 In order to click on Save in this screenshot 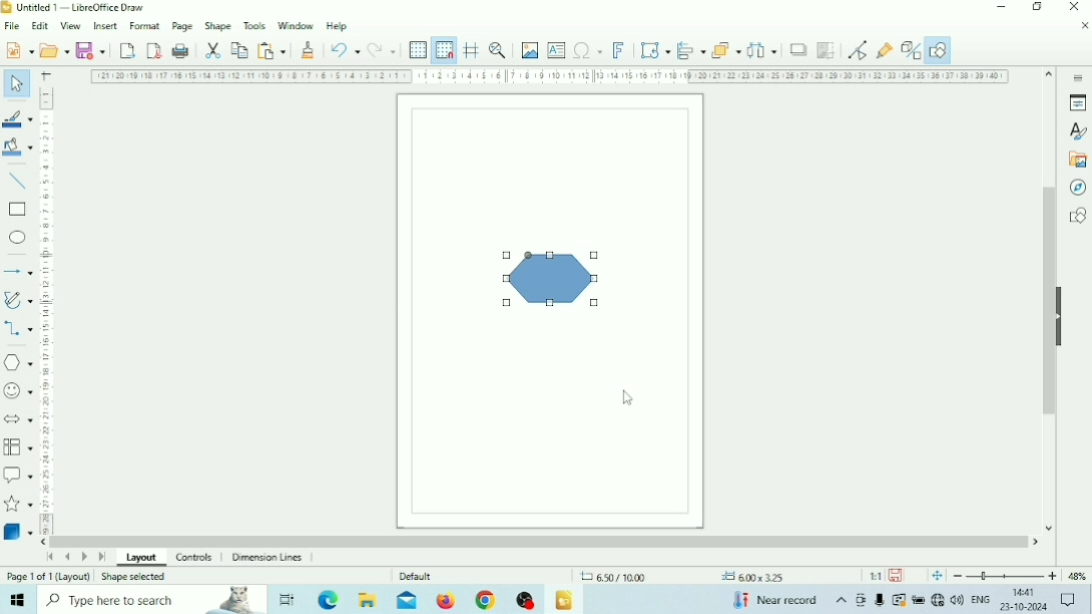, I will do `click(896, 576)`.